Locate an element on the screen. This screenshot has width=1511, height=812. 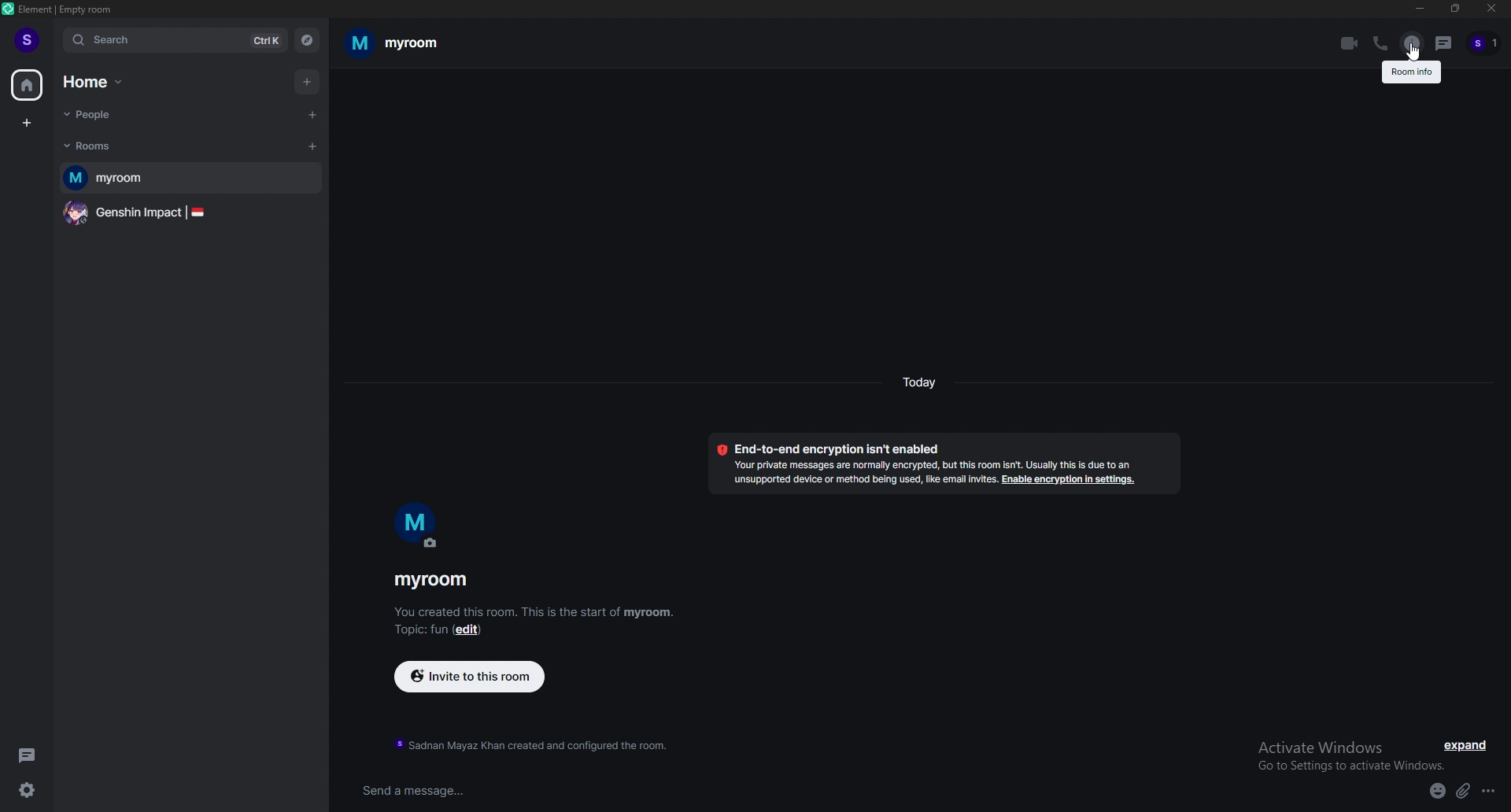
emoji is located at coordinates (1437, 789).